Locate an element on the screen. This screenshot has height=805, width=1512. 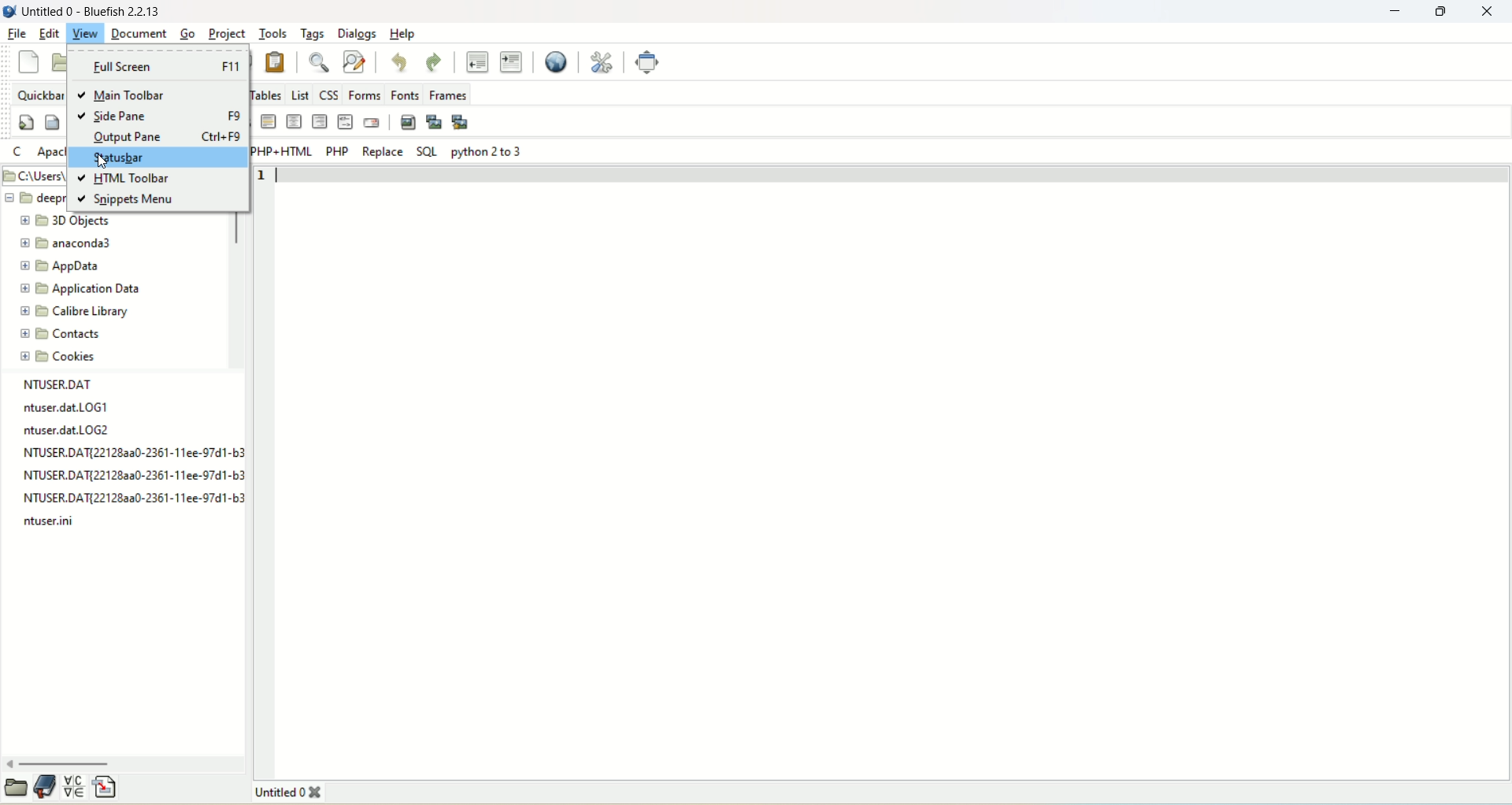
locations is located at coordinates (33, 175).